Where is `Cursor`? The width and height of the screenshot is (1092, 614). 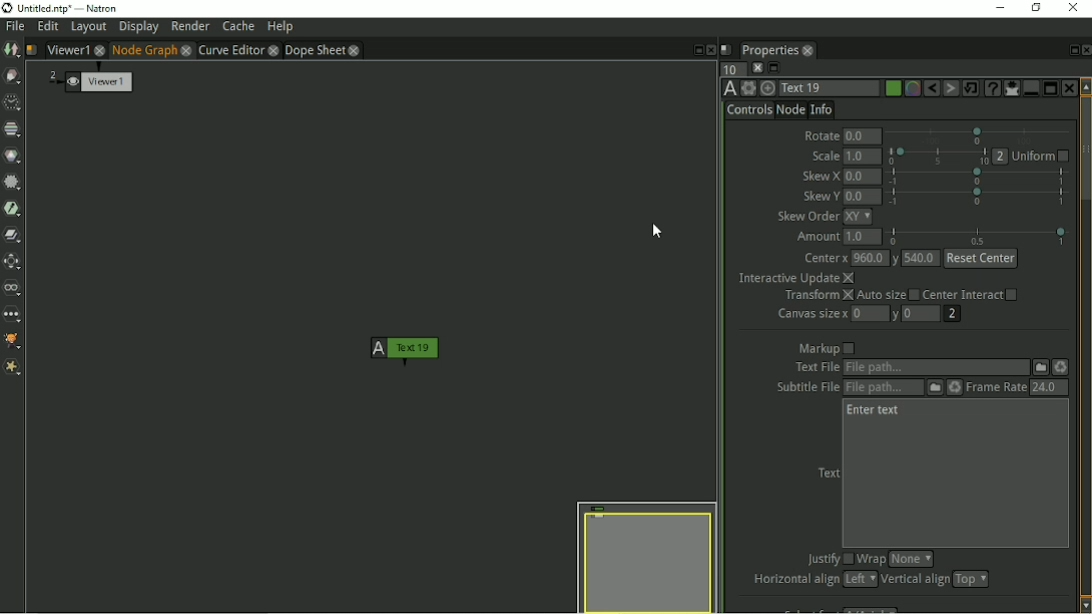
Cursor is located at coordinates (650, 225).